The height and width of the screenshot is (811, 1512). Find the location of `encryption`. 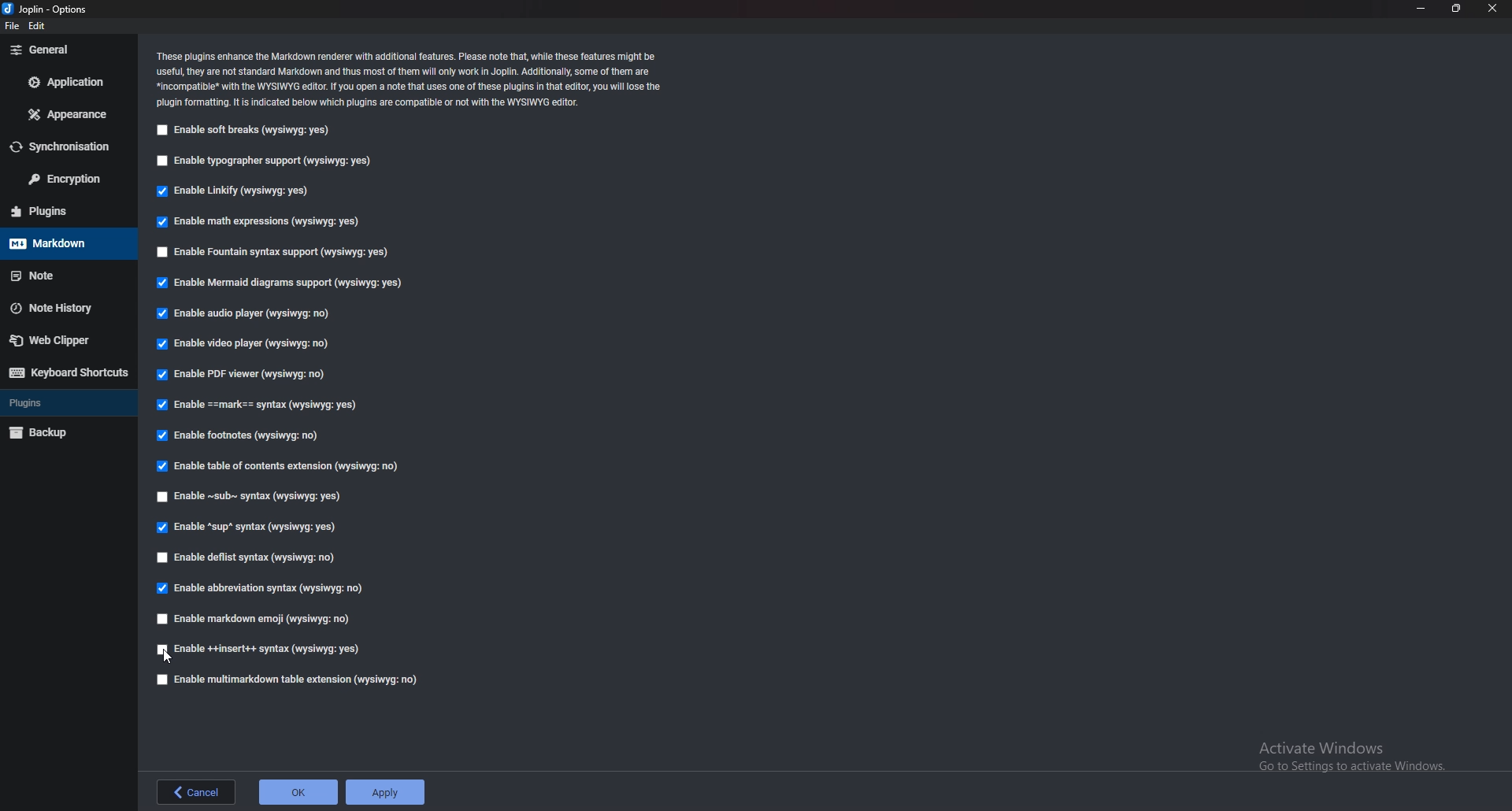

encryption is located at coordinates (63, 178).